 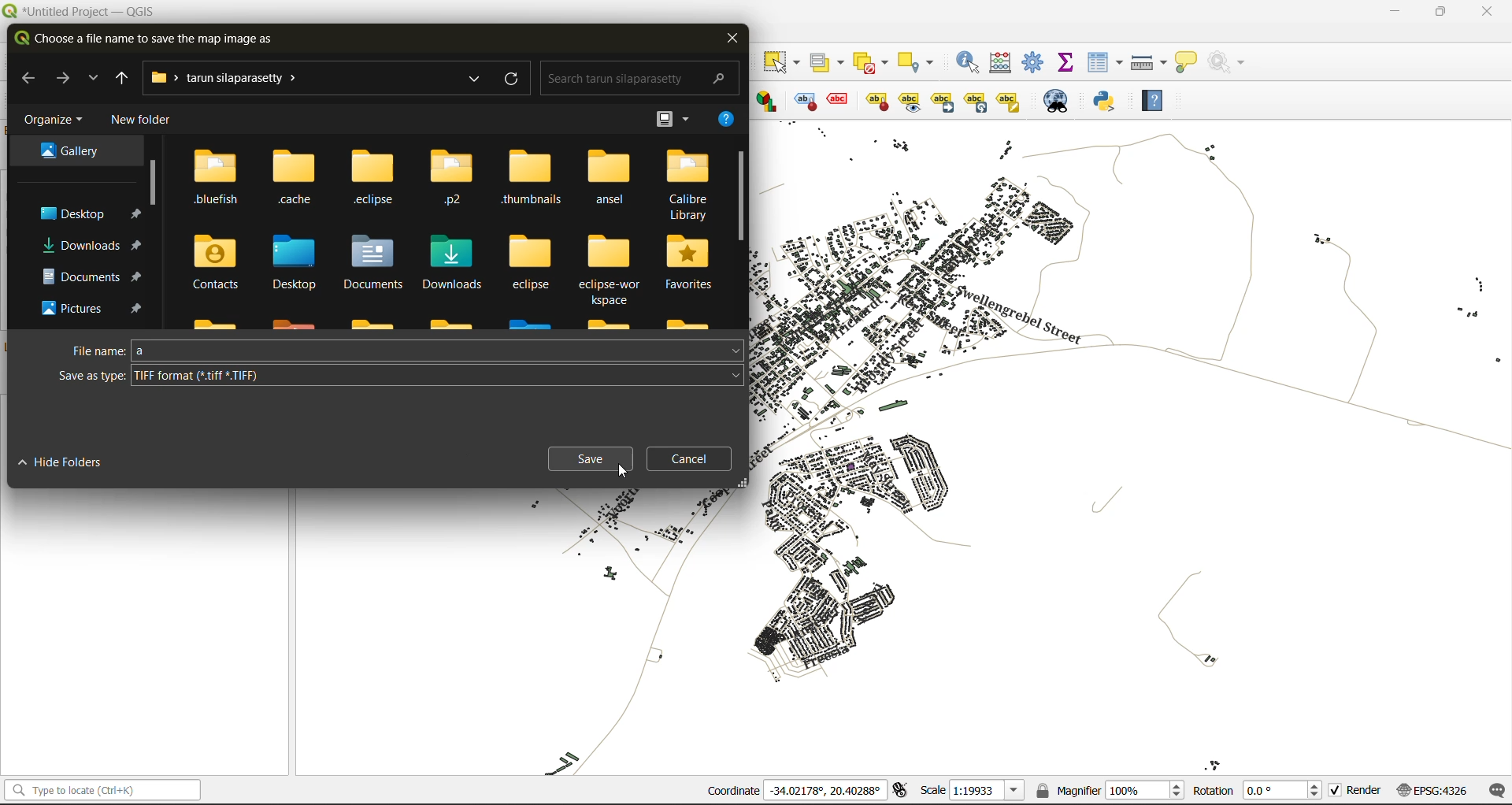 What do you see at coordinates (94, 80) in the screenshot?
I see `explore` at bounding box center [94, 80].